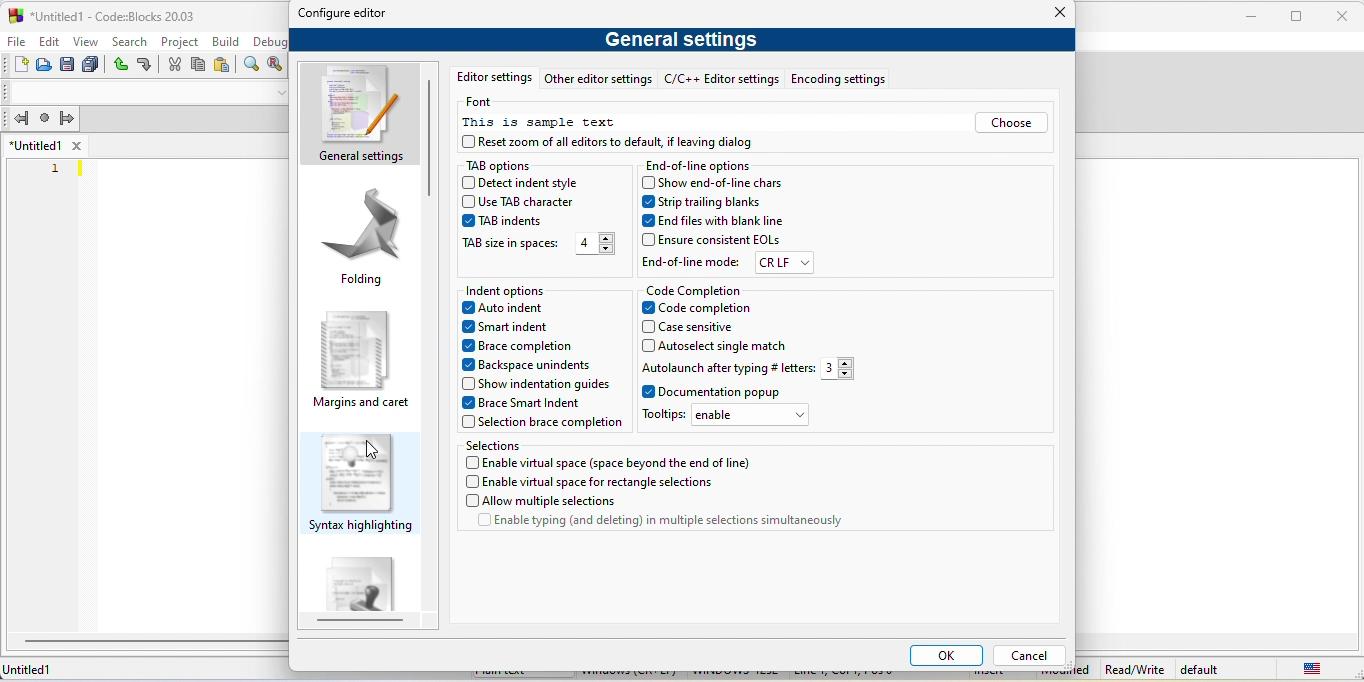  What do you see at coordinates (572, 500) in the screenshot?
I see `allow multiple selections` at bounding box center [572, 500].